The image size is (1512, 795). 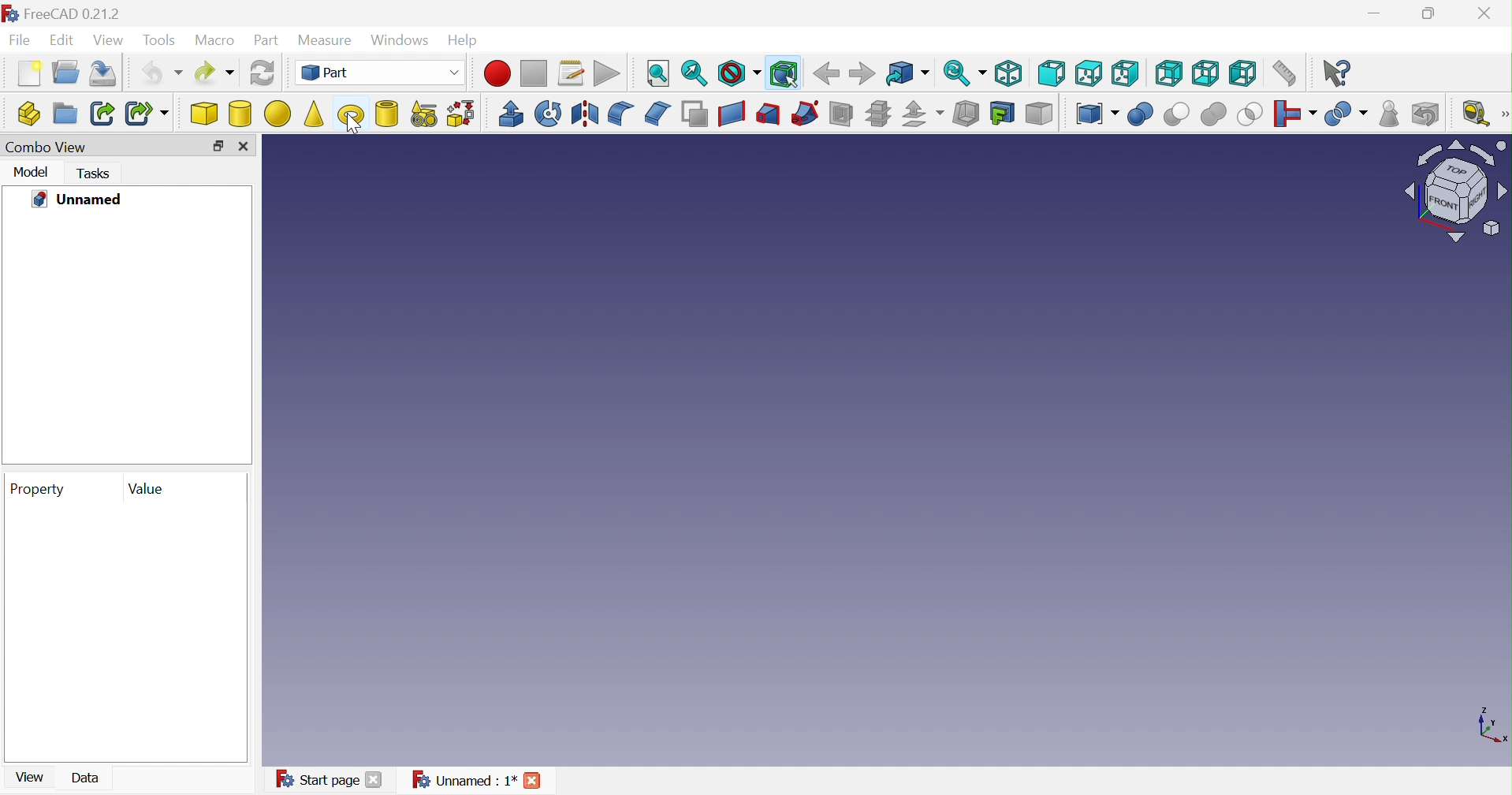 What do you see at coordinates (145, 488) in the screenshot?
I see `Value` at bounding box center [145, 488].